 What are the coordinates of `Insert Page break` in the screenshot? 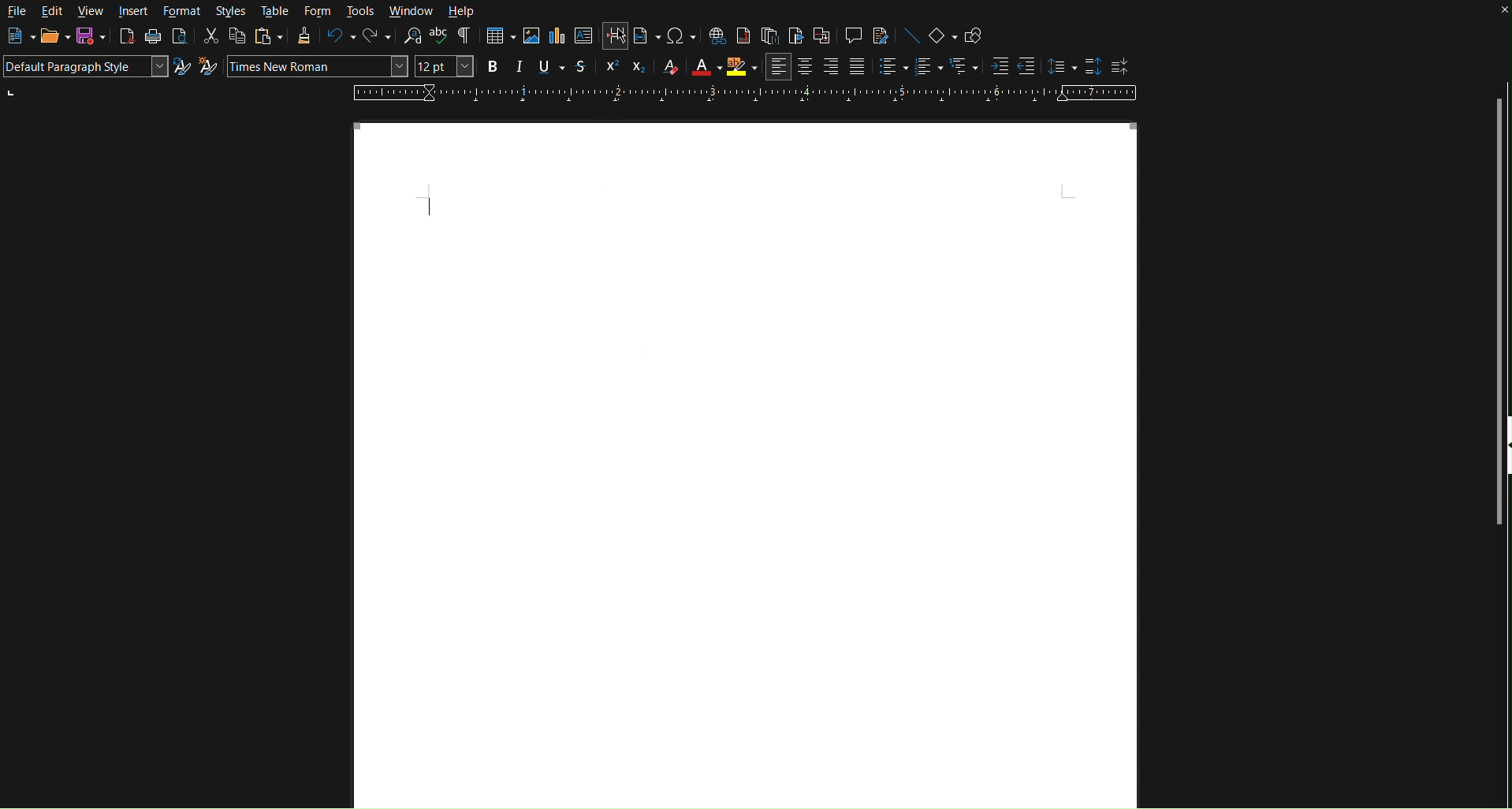 It's located at (616, 36).